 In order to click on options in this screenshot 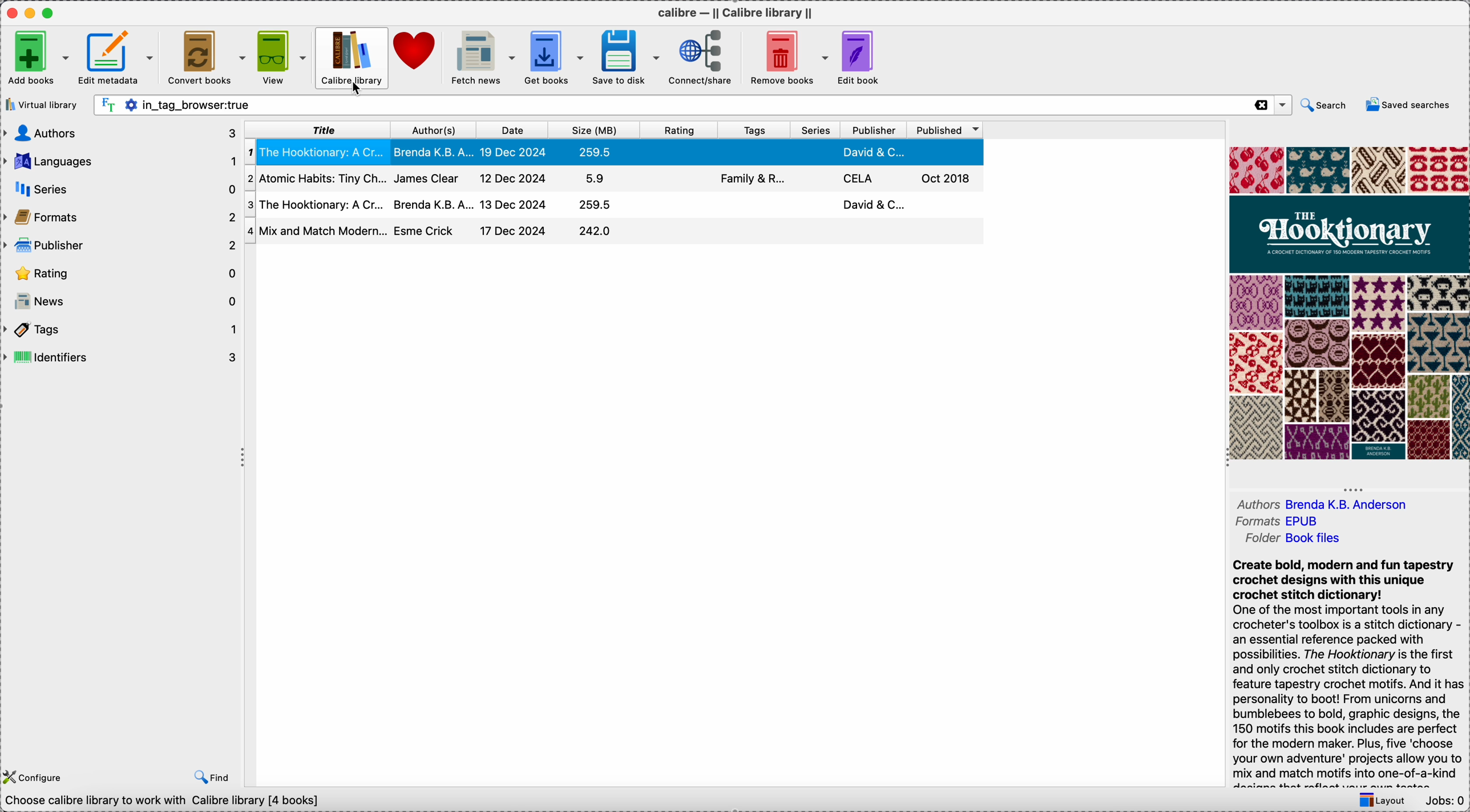, I will do `click(1282, 106)`.